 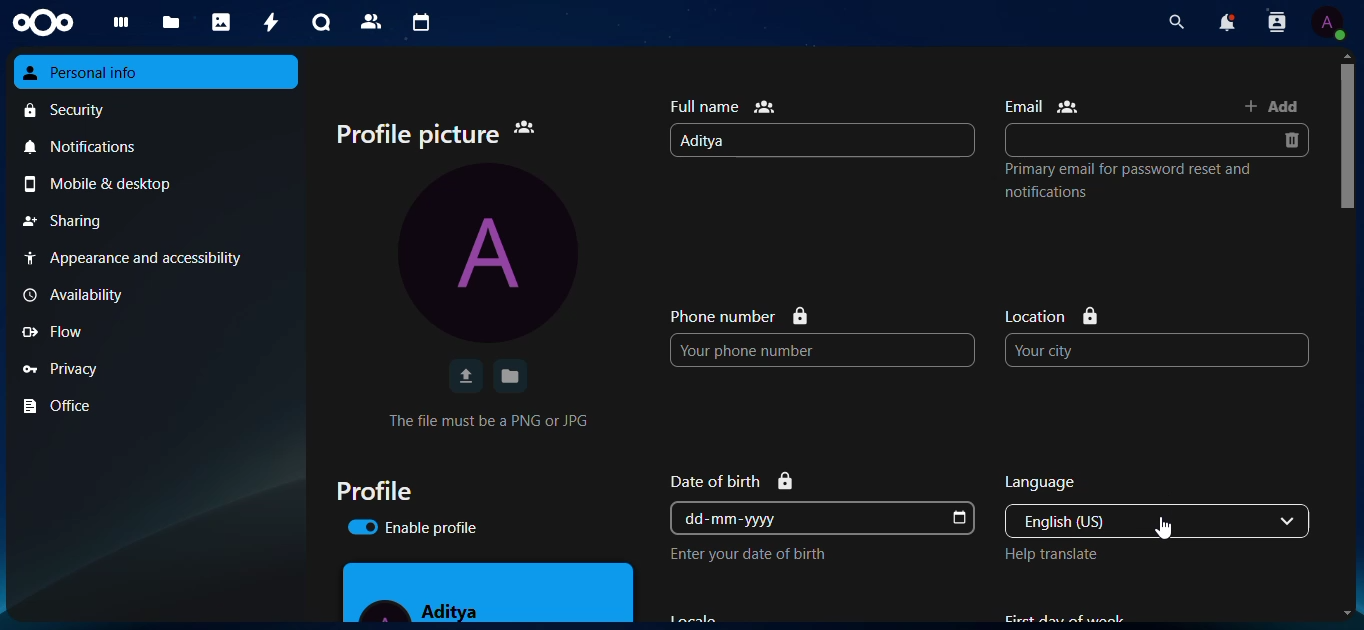 I want to click on name, so click(x=716, y=141).